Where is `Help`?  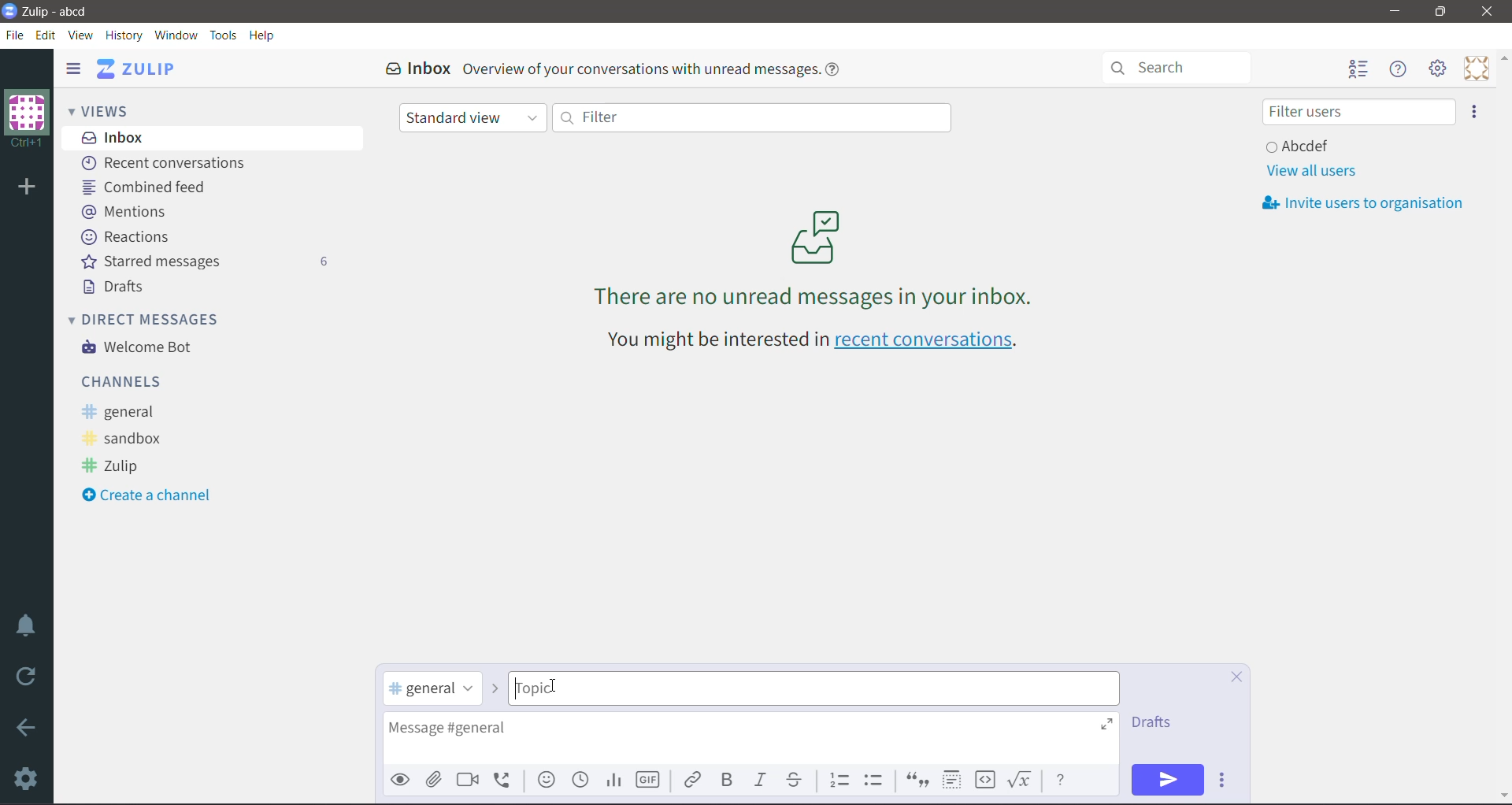
Help is located at coordinates (262, 35).